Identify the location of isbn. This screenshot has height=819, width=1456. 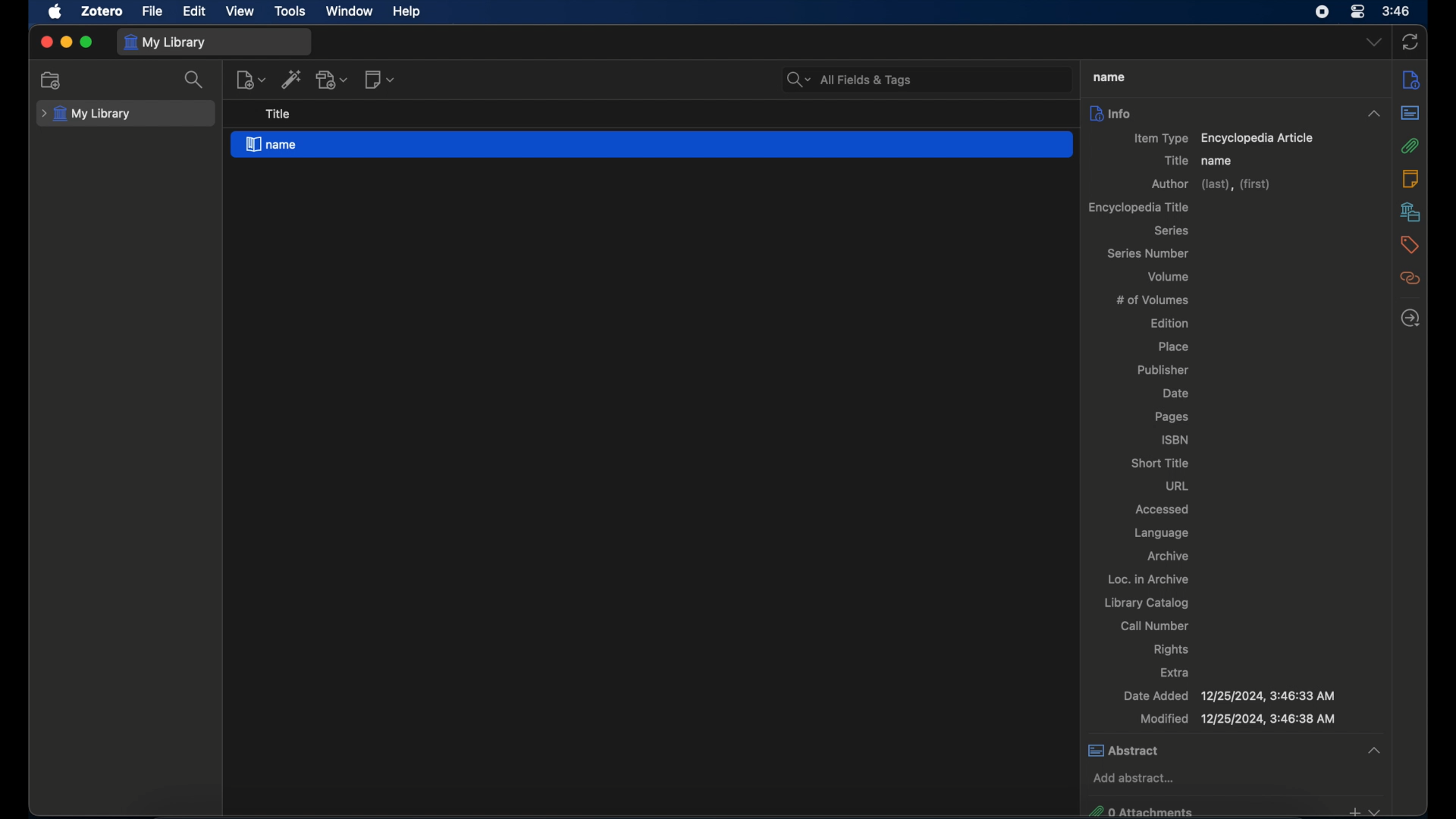
(1175, 439).